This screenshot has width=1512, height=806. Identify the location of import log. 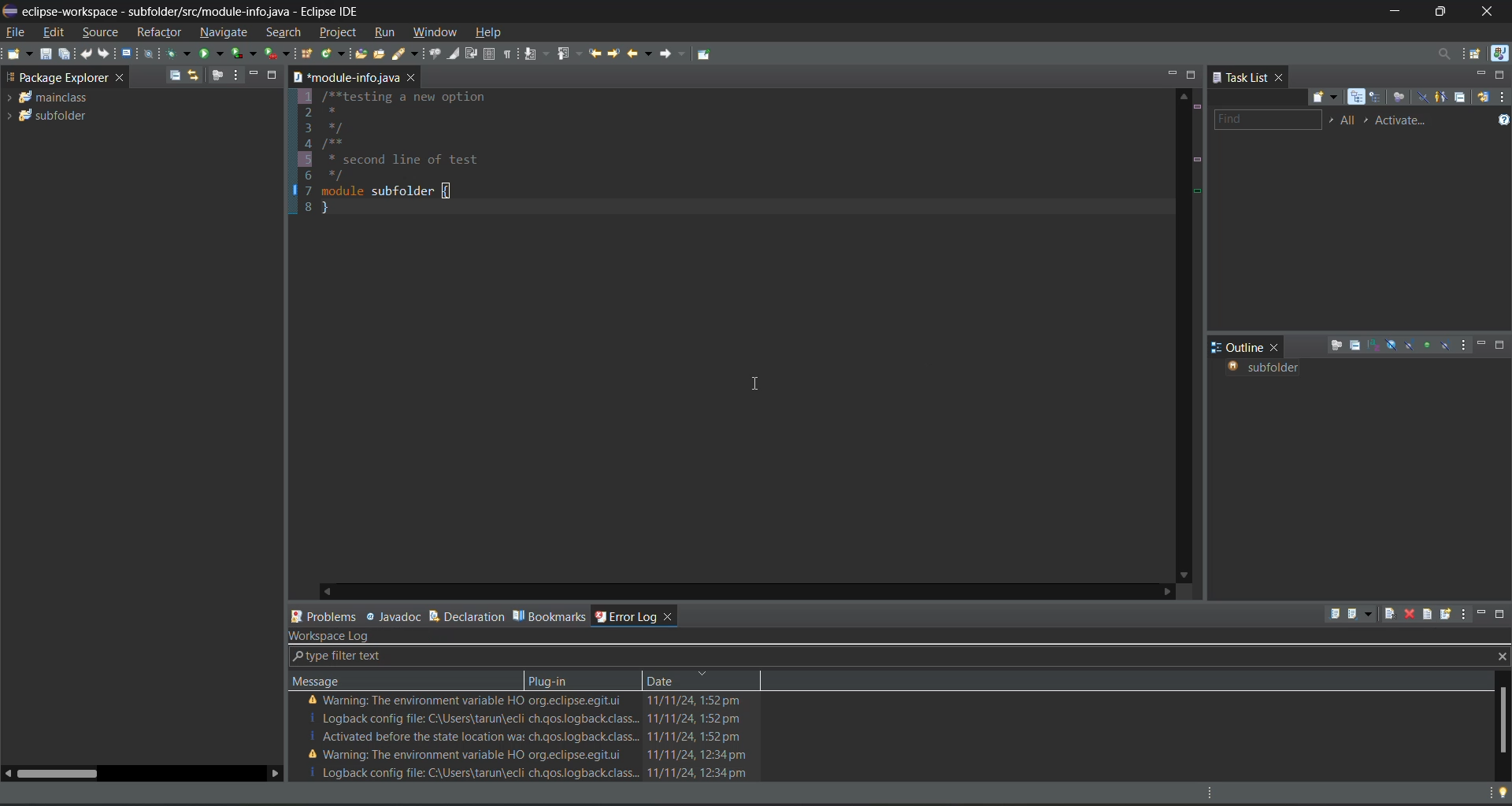
(1363, 612).